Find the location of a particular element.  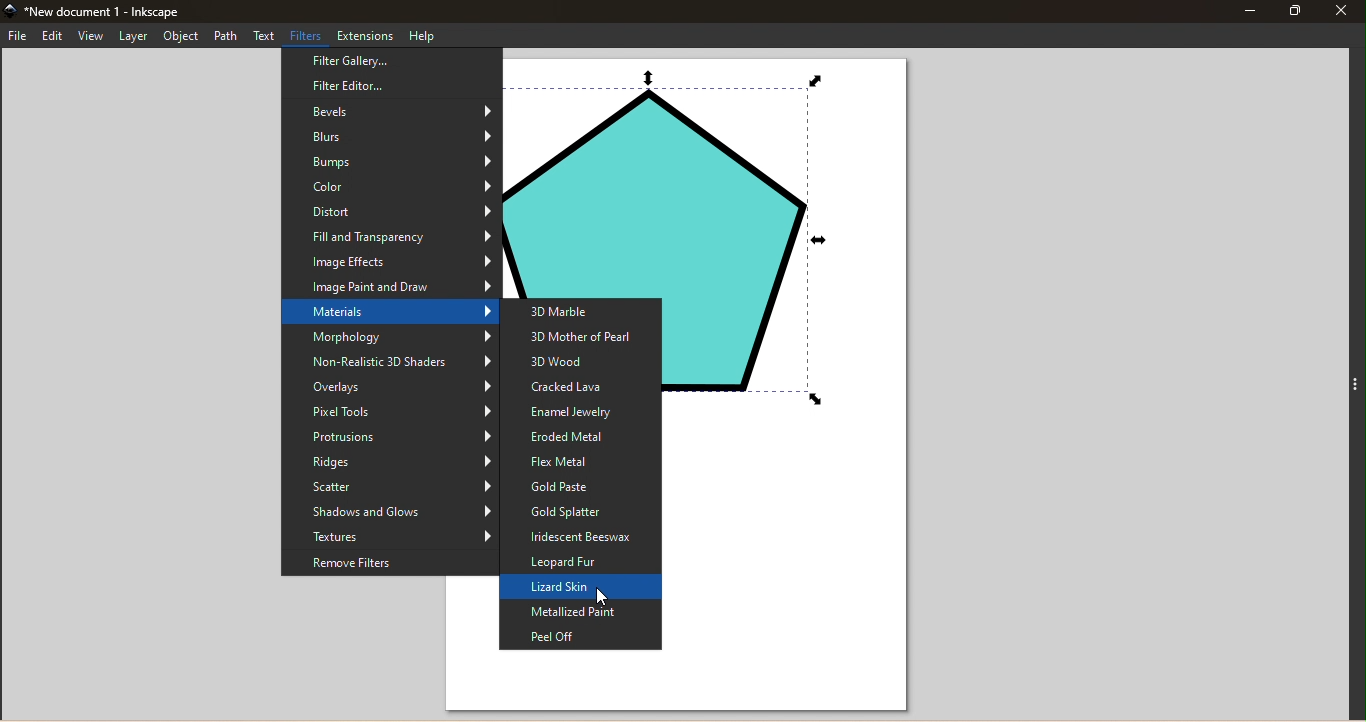

File is located at coordinates (18, 37).